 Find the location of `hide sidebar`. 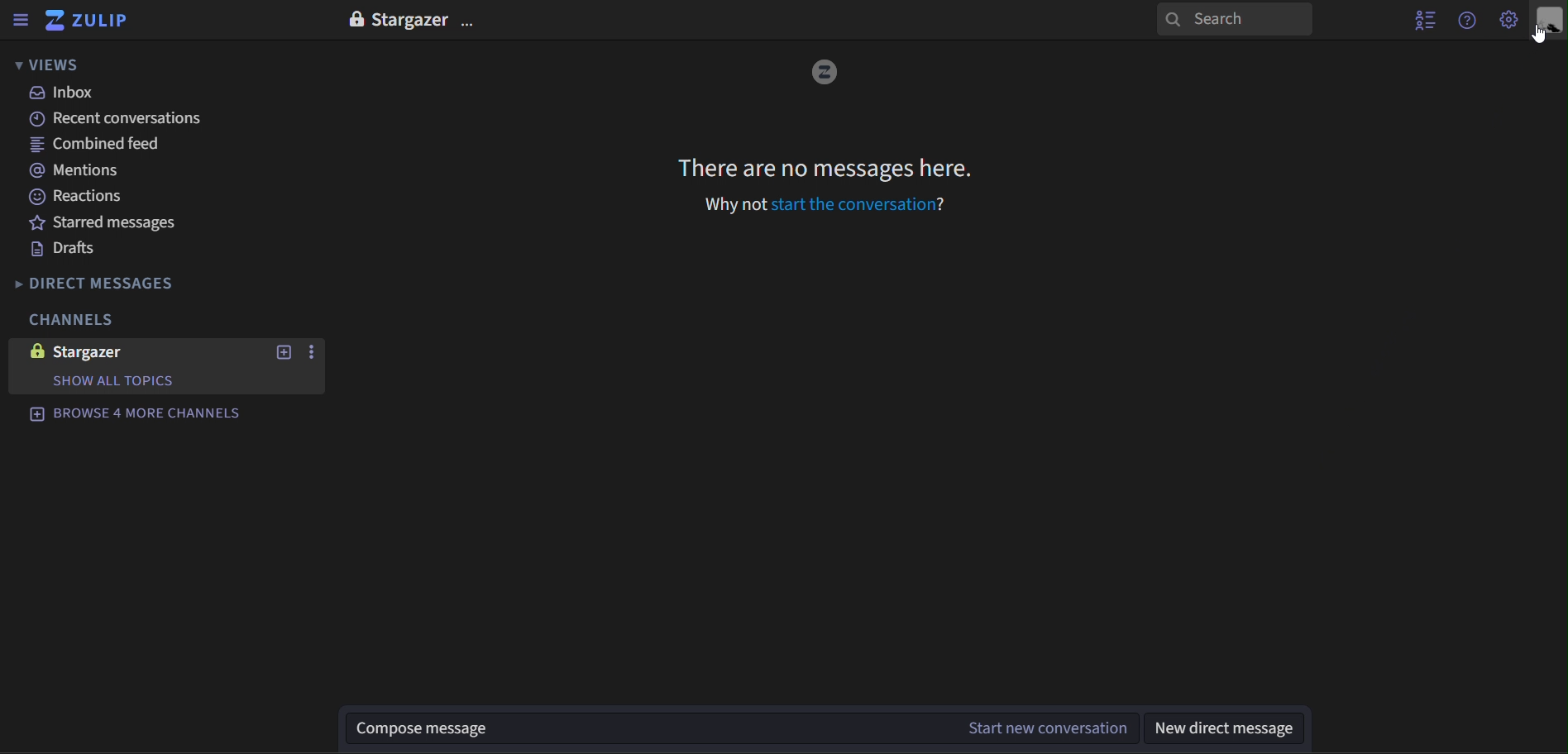

hide sidebar is located at coordinates (19, 19).